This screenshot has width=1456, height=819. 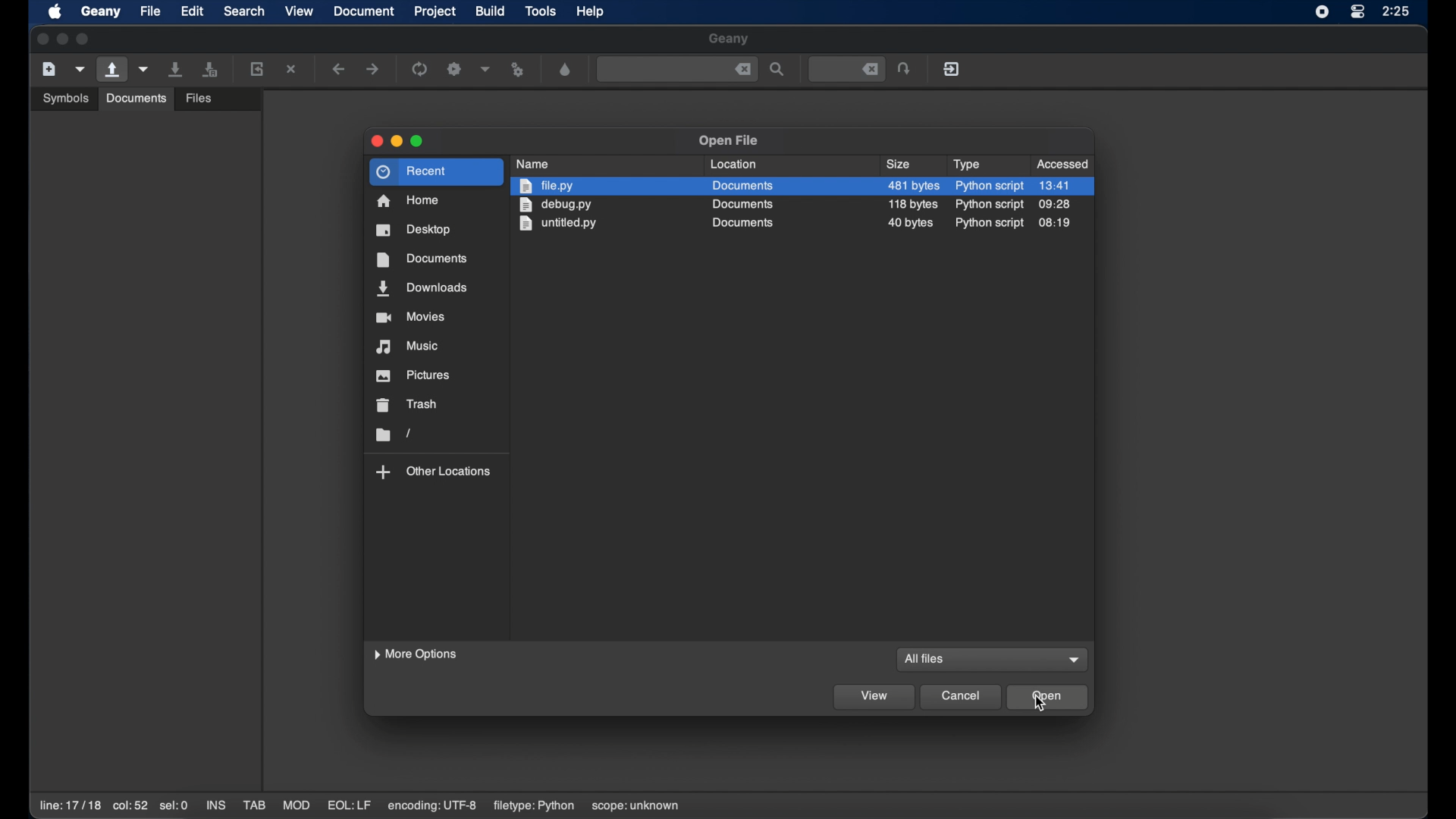 What do you see at coordinates (961, 697) in the screenshot?
I see `cancel` at bounding box center [961, 697].